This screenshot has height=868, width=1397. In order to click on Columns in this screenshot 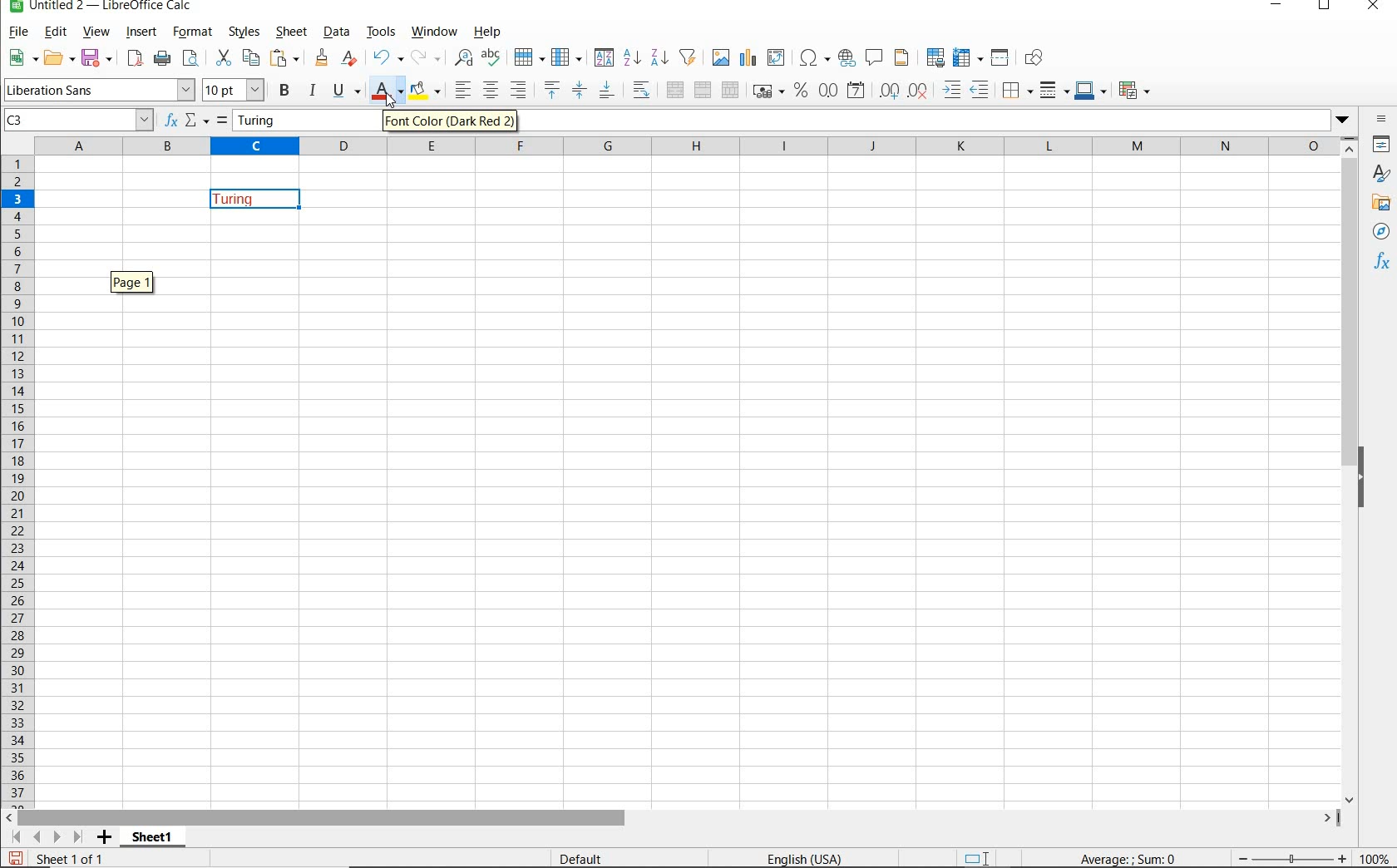, I will do `click(687, 147)`.